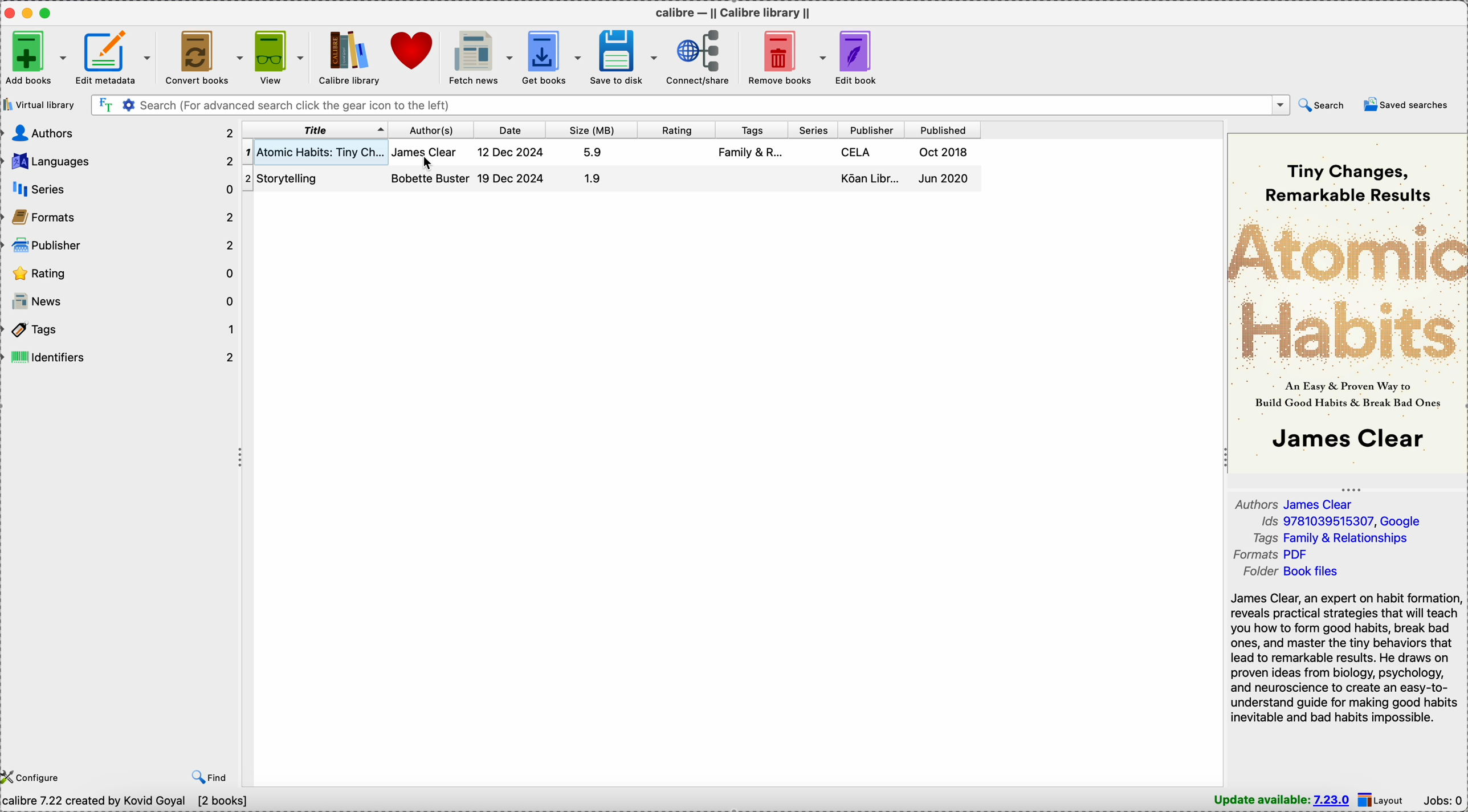 This screenshot has width=1468, height=812. I want to click on connect/share, so click(695, 57).